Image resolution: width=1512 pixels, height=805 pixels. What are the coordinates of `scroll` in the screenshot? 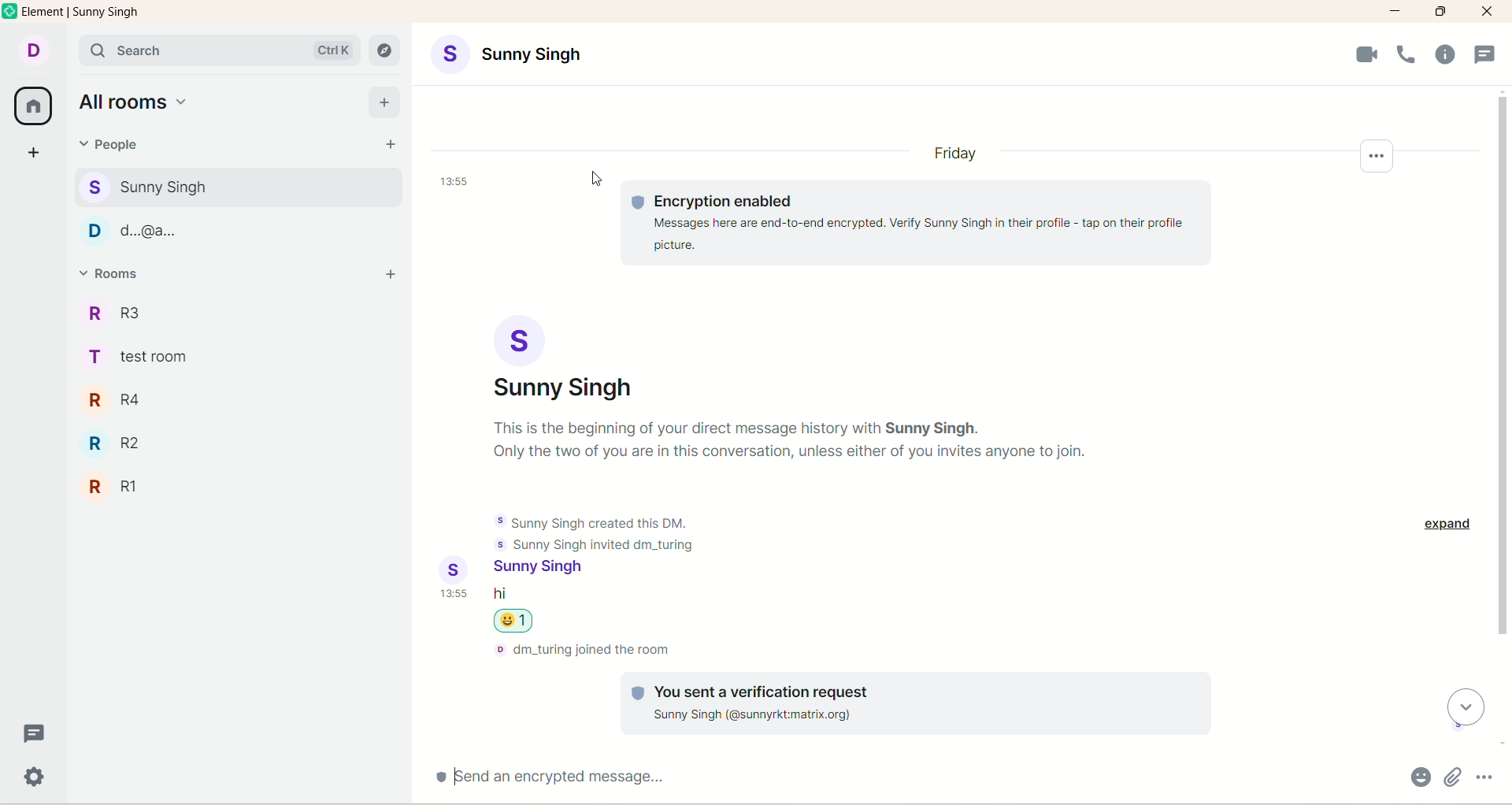 It's located at (1466, 707).